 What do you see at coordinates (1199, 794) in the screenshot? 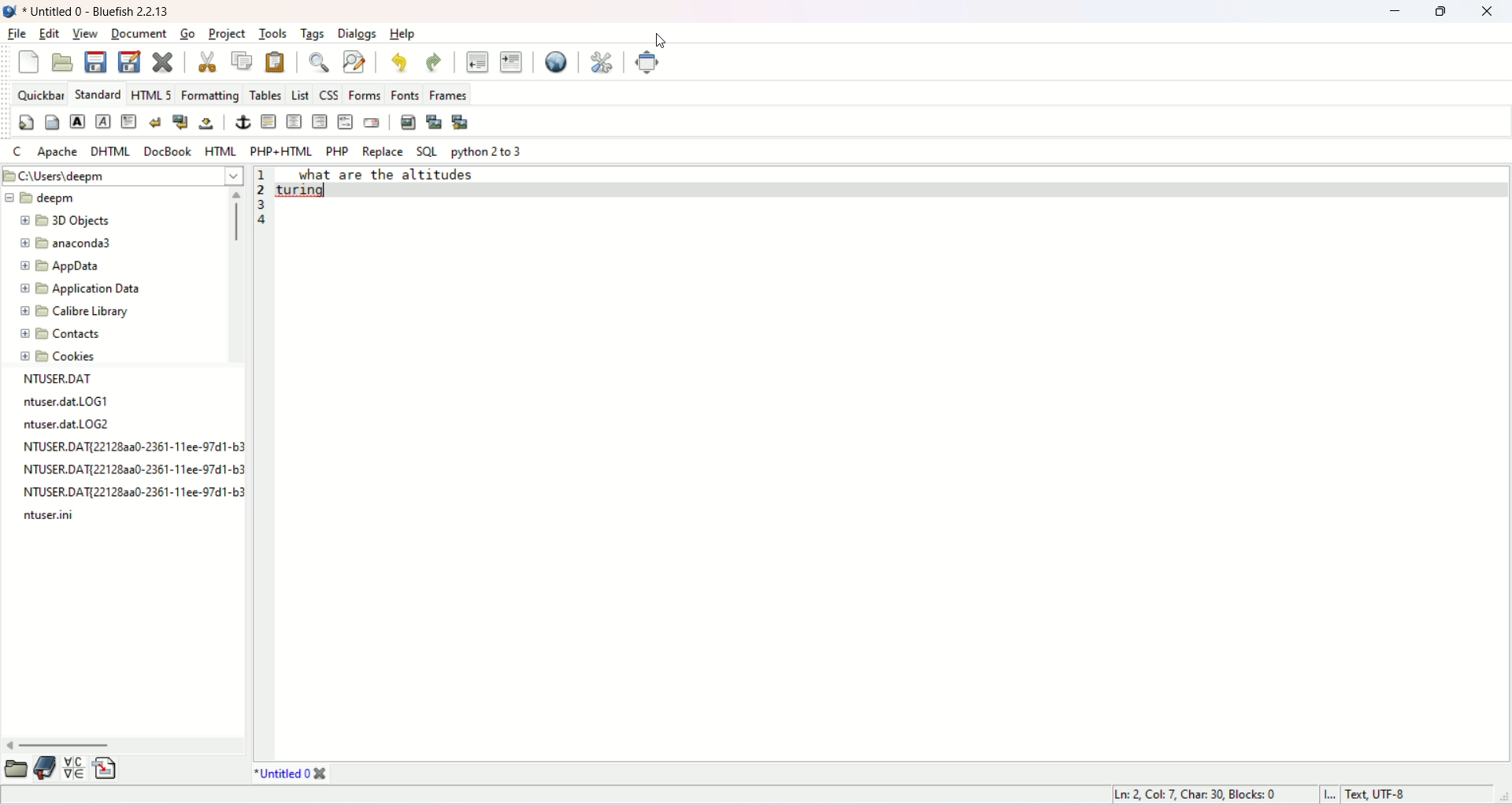
I see `ln, col, char, blocks` at bounding box center [1199, 794].